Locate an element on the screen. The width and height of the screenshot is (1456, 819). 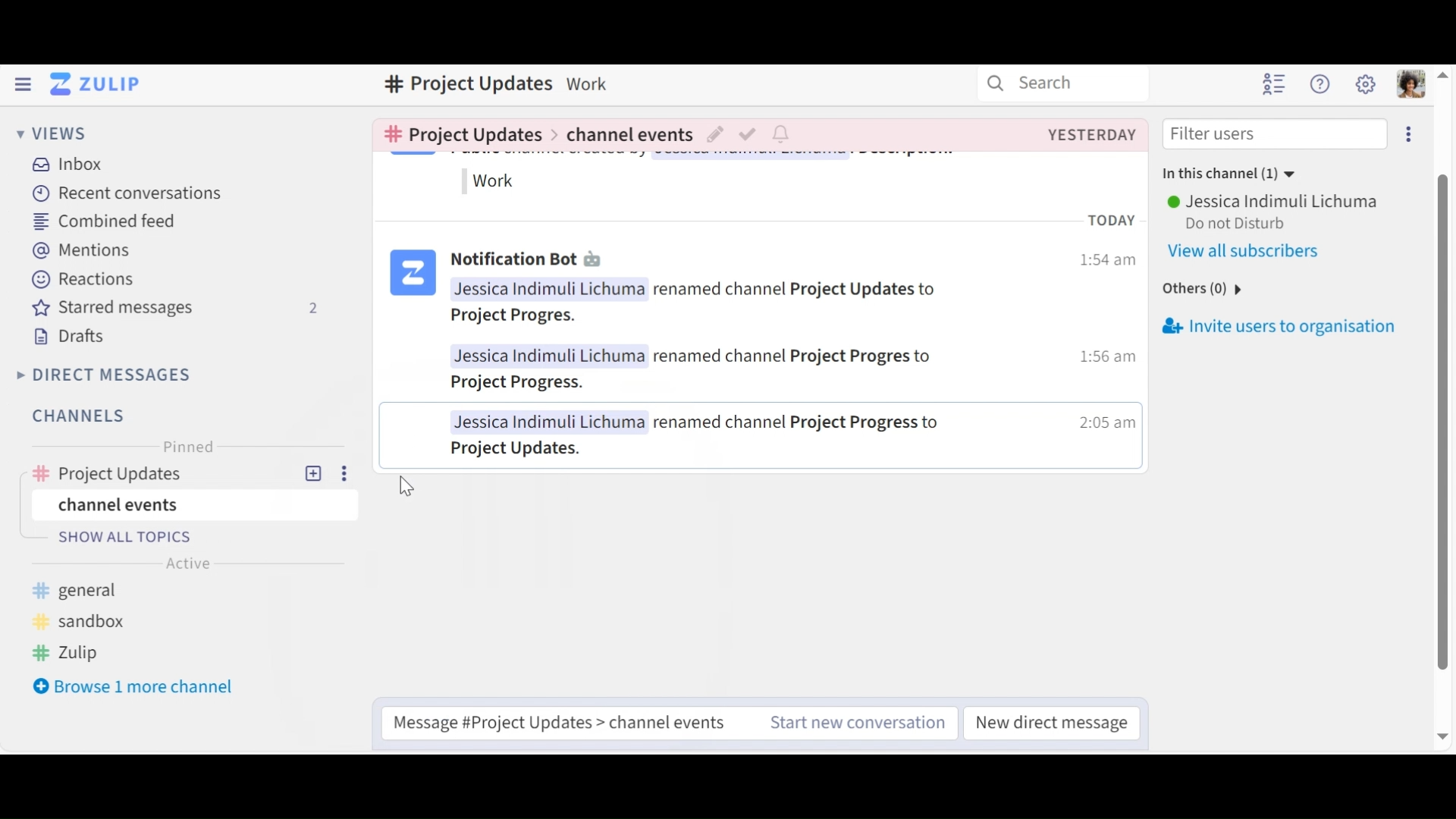
Combined feed is located at coordinates (102, 221).